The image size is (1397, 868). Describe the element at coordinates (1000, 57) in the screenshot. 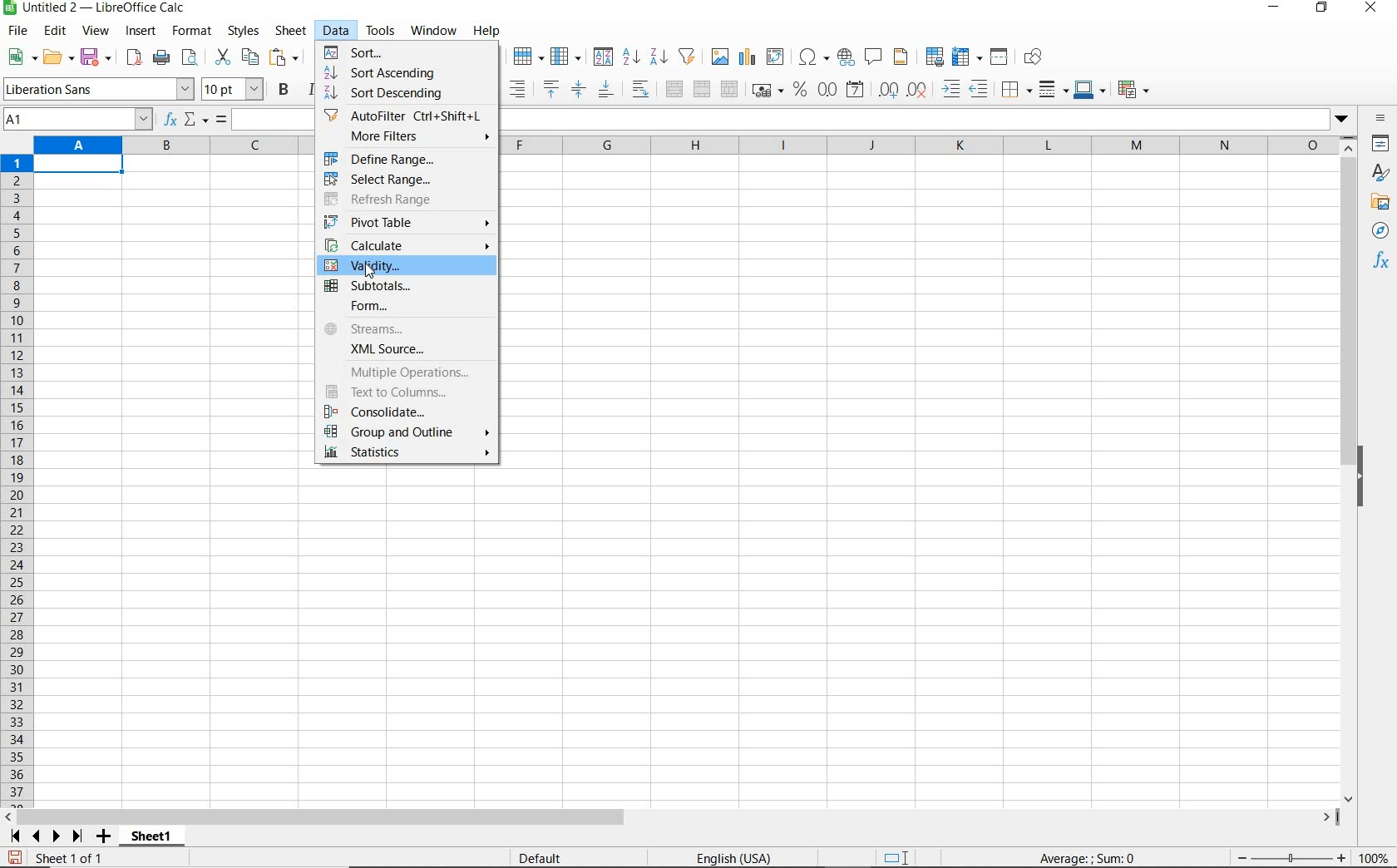

I see `split window` at that location.